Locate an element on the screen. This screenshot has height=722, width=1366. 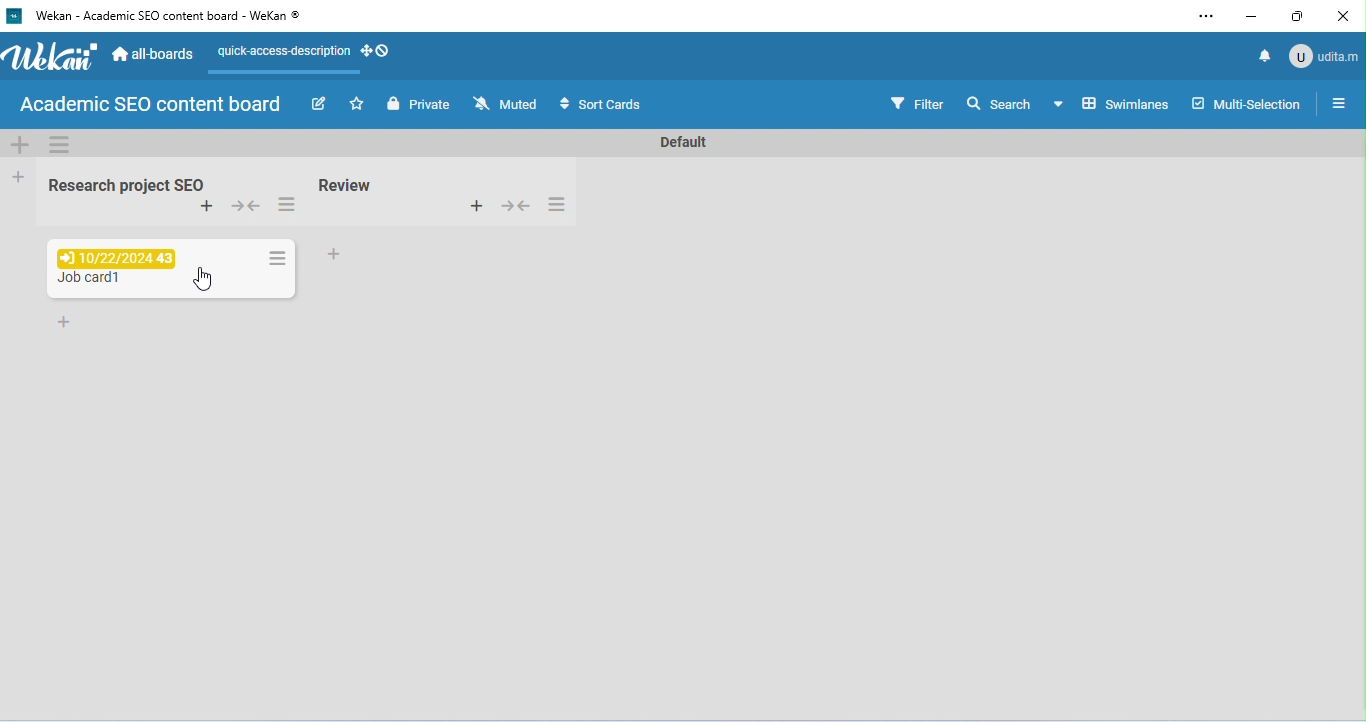
quick-access-description is located at coordinates (281, 54).